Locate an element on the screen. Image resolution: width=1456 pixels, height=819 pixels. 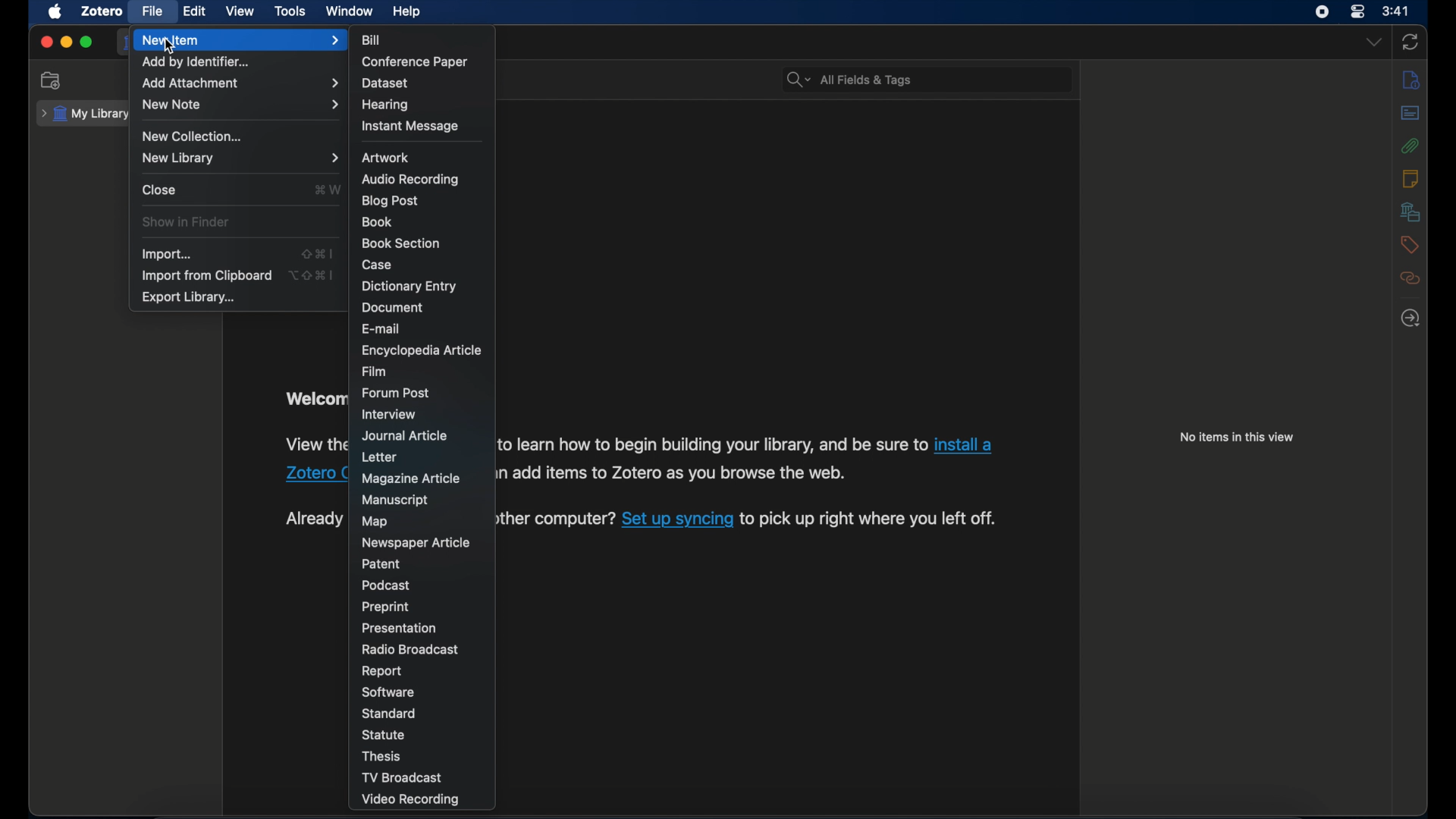
blog post is located at coordinates (391, 202).